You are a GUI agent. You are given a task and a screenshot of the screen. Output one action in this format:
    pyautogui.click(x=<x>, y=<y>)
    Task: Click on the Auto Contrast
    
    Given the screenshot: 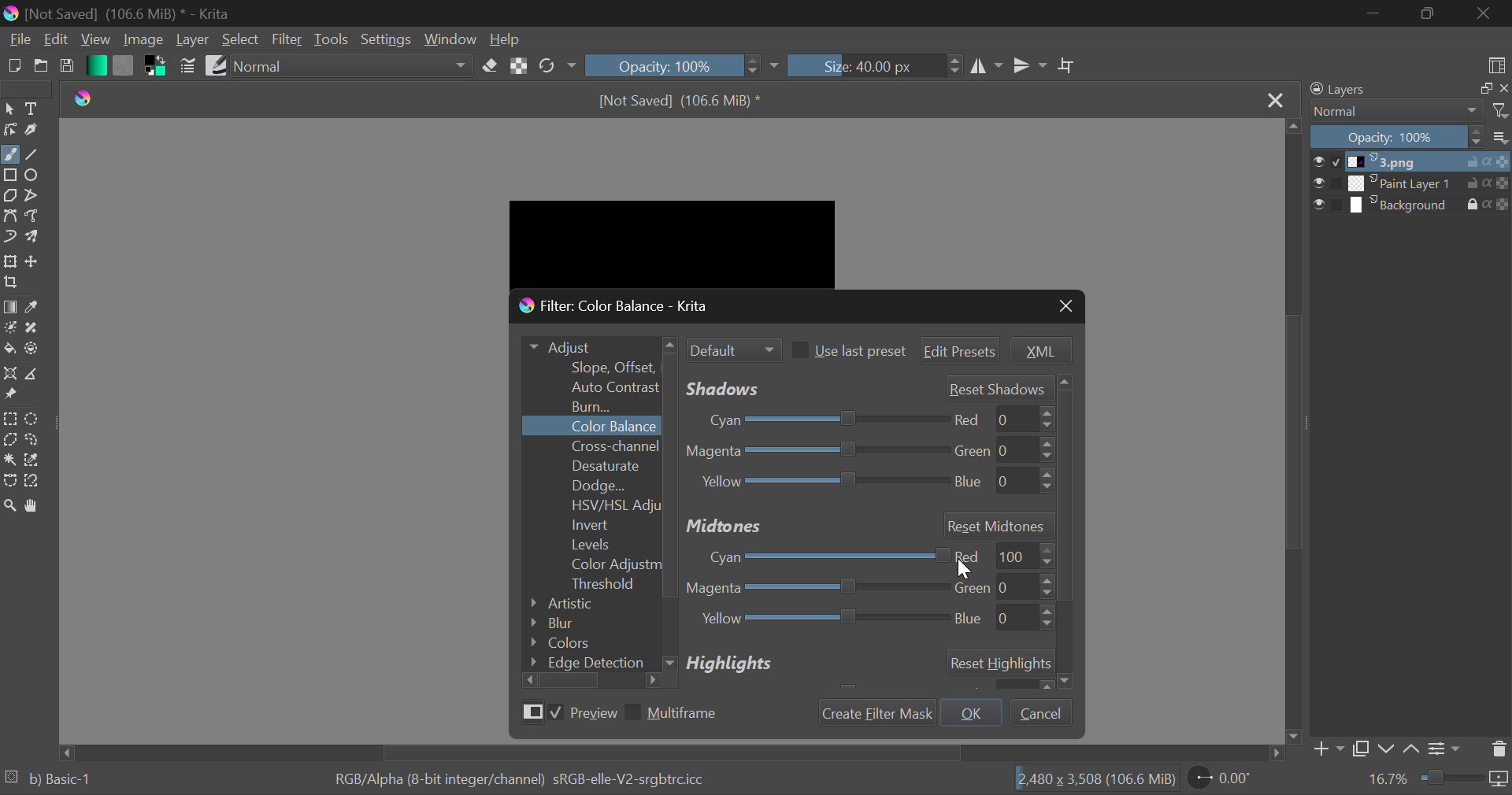 What is the action you would take?
    pyautogui.click(x=610, y=387)
    